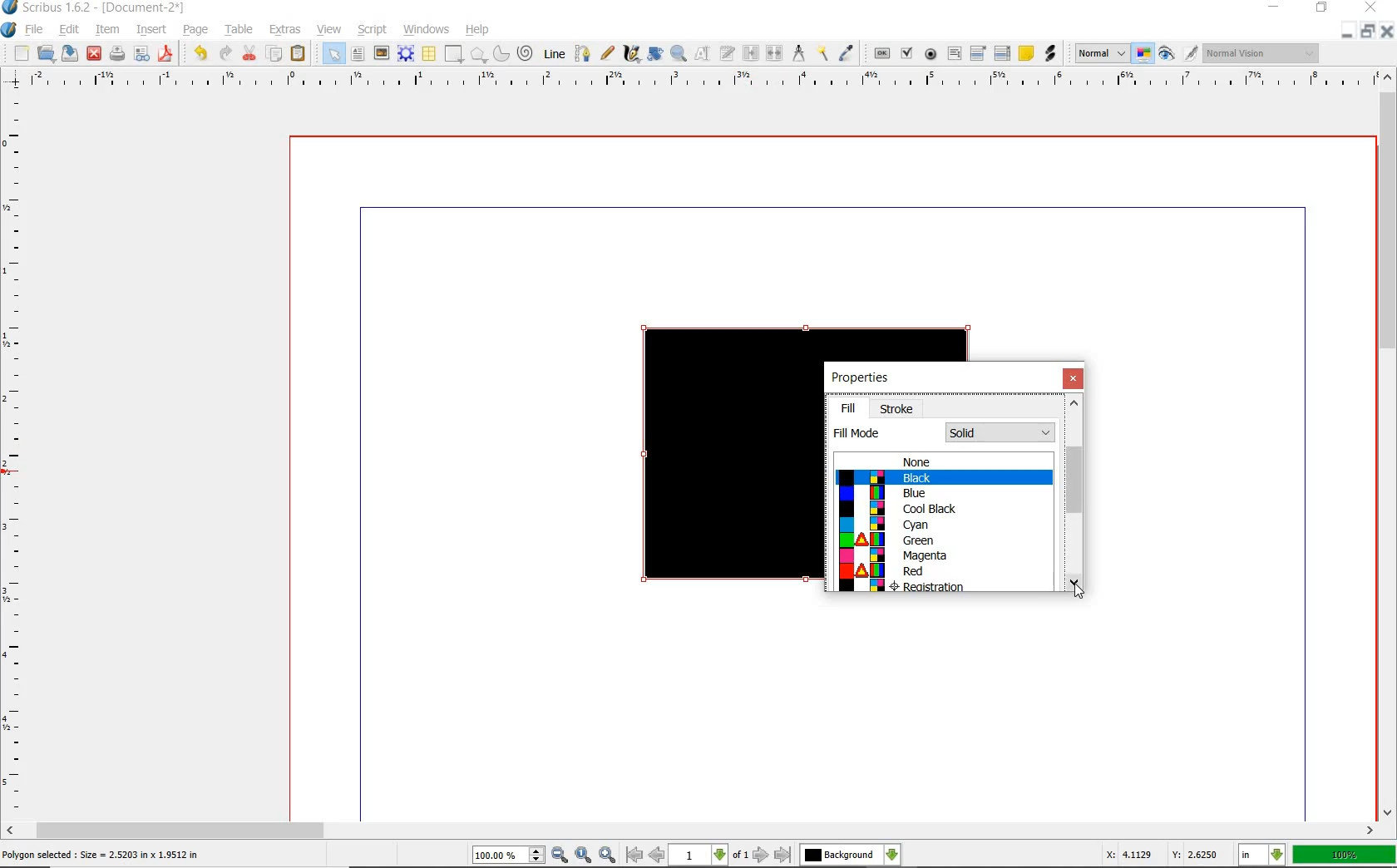 This screenshot has width=1397, height=868. I want to click on paste, so click(299, 55).